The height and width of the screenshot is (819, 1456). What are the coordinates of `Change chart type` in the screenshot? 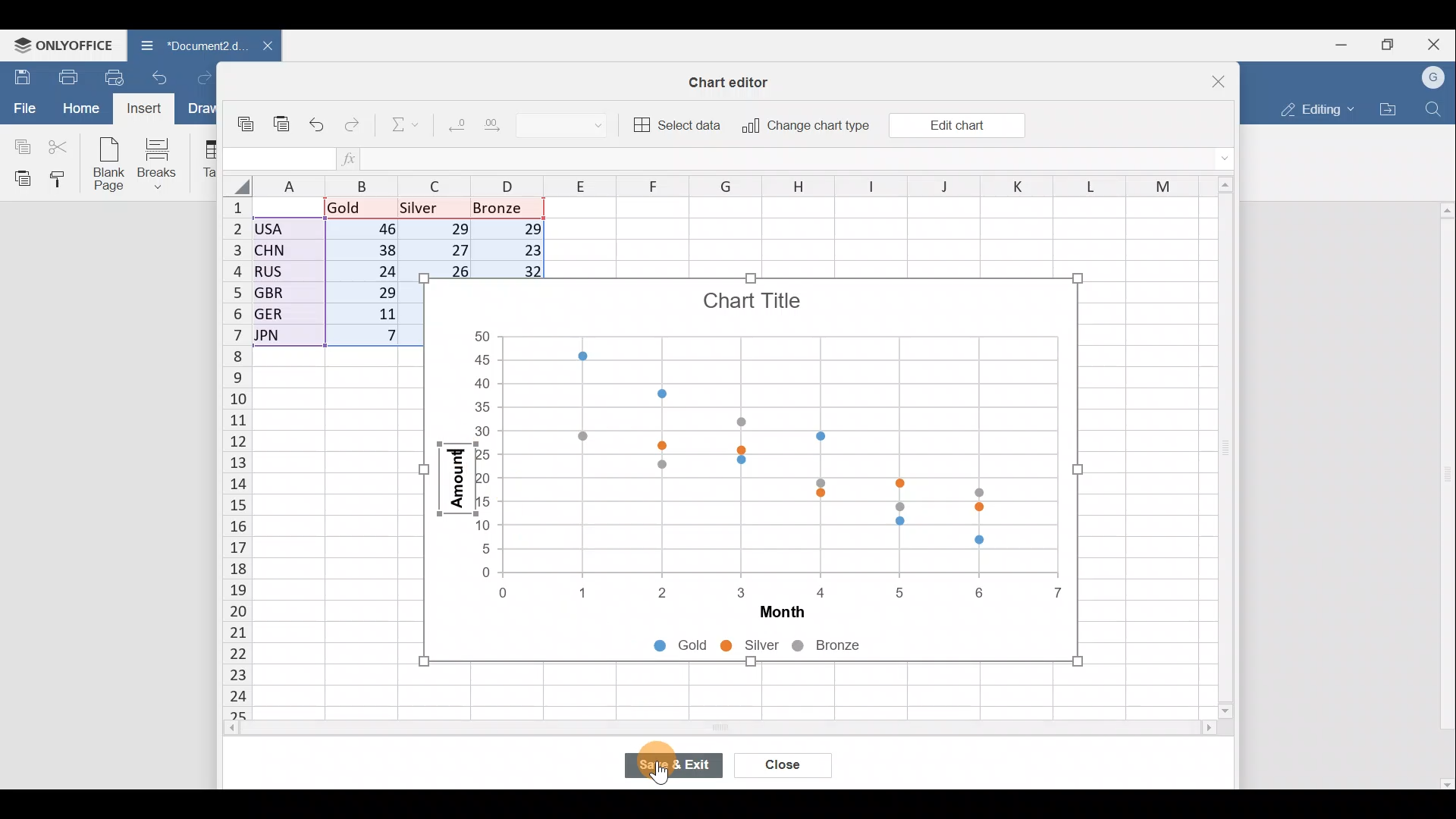 It's located at (805, 126).